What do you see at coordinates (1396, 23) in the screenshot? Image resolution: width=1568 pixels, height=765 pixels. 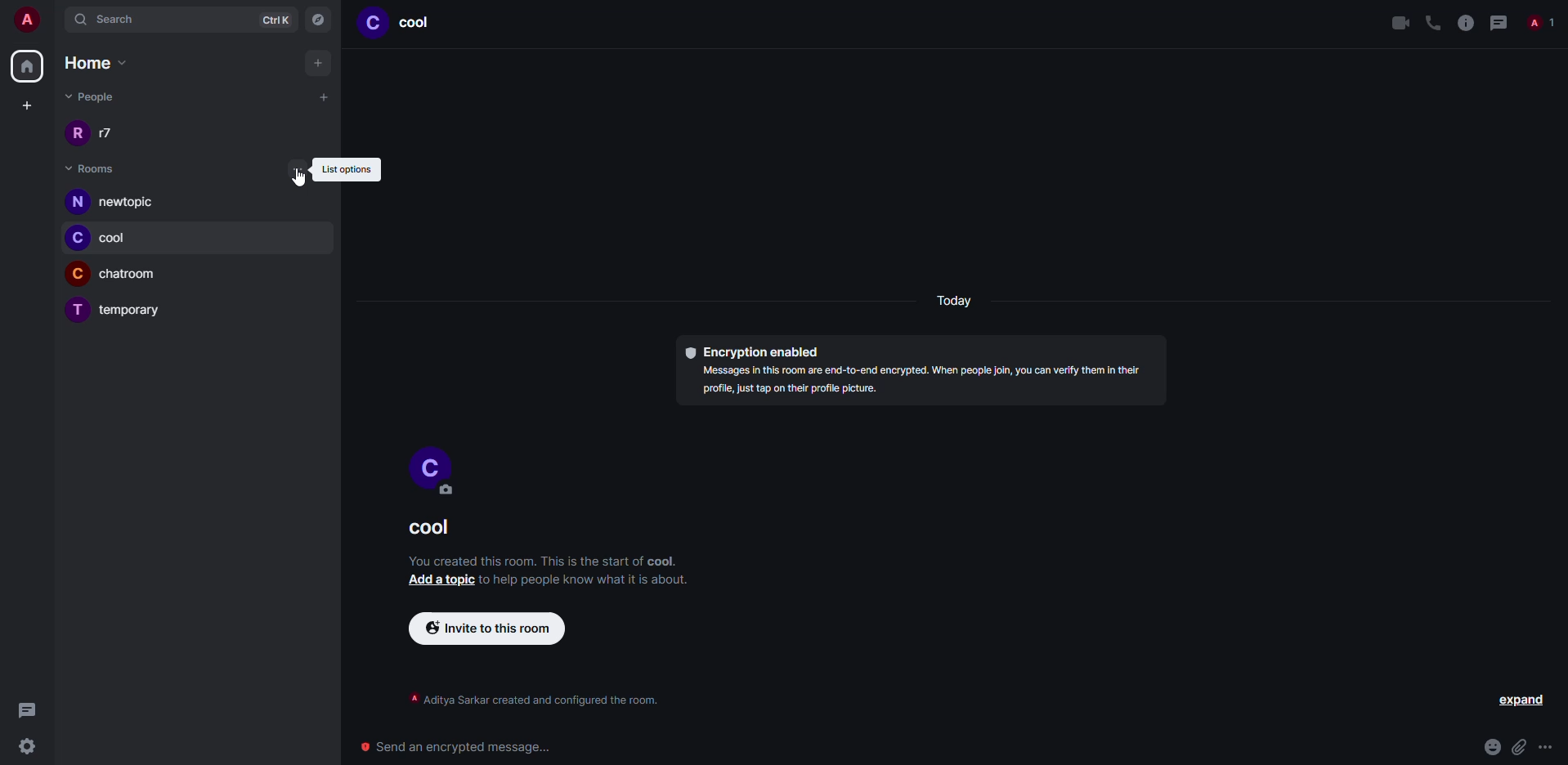 I see `video call` at bounding box center [1396, 23].